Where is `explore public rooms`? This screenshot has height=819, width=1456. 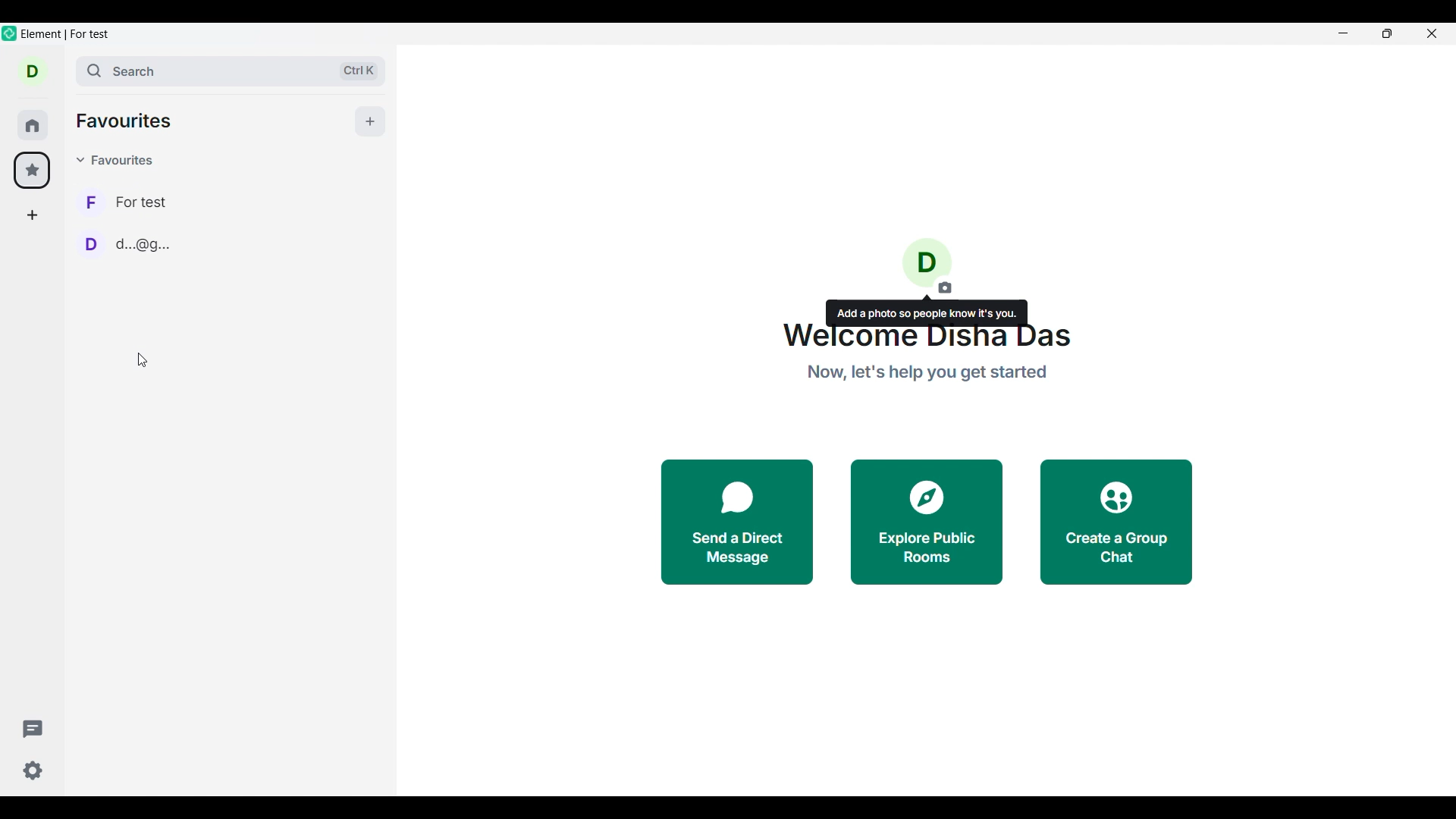 explore public rooms is located at coordinates (926, 523).